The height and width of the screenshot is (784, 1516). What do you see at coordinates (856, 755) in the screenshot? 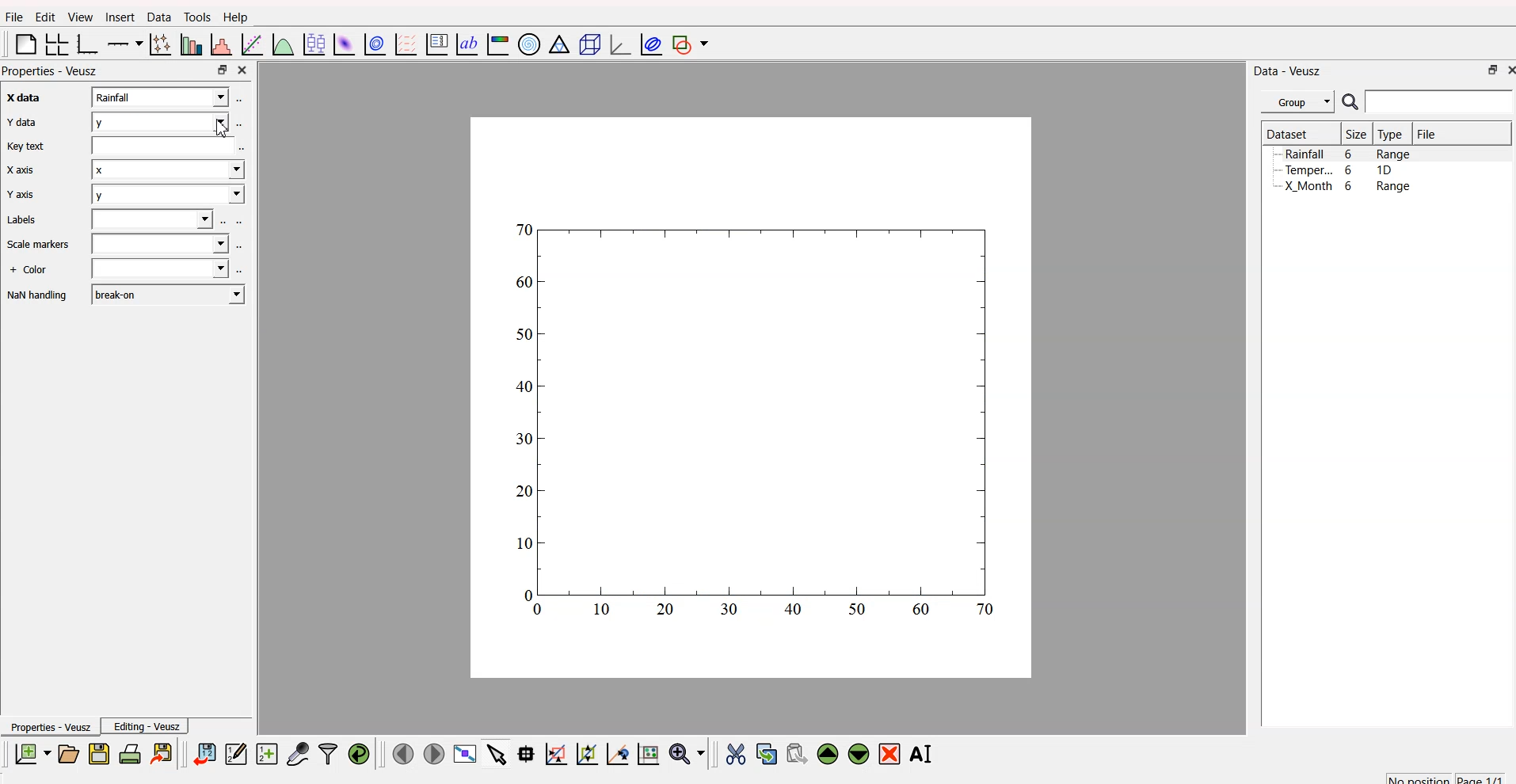
I see `move down the widget ` at bounding box center [856, 755].